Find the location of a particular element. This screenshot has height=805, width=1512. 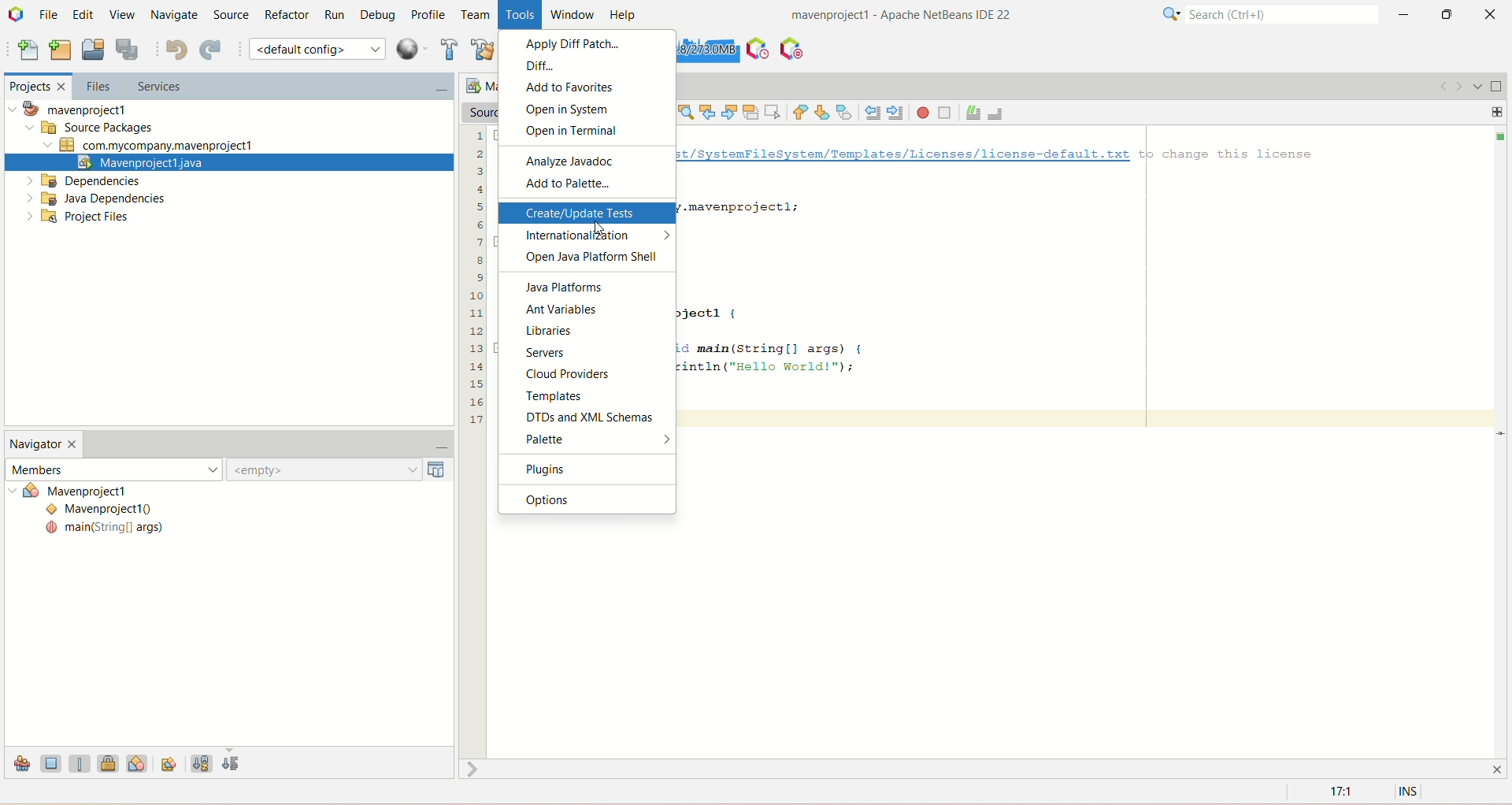

team is located at coordinates (476, 16).